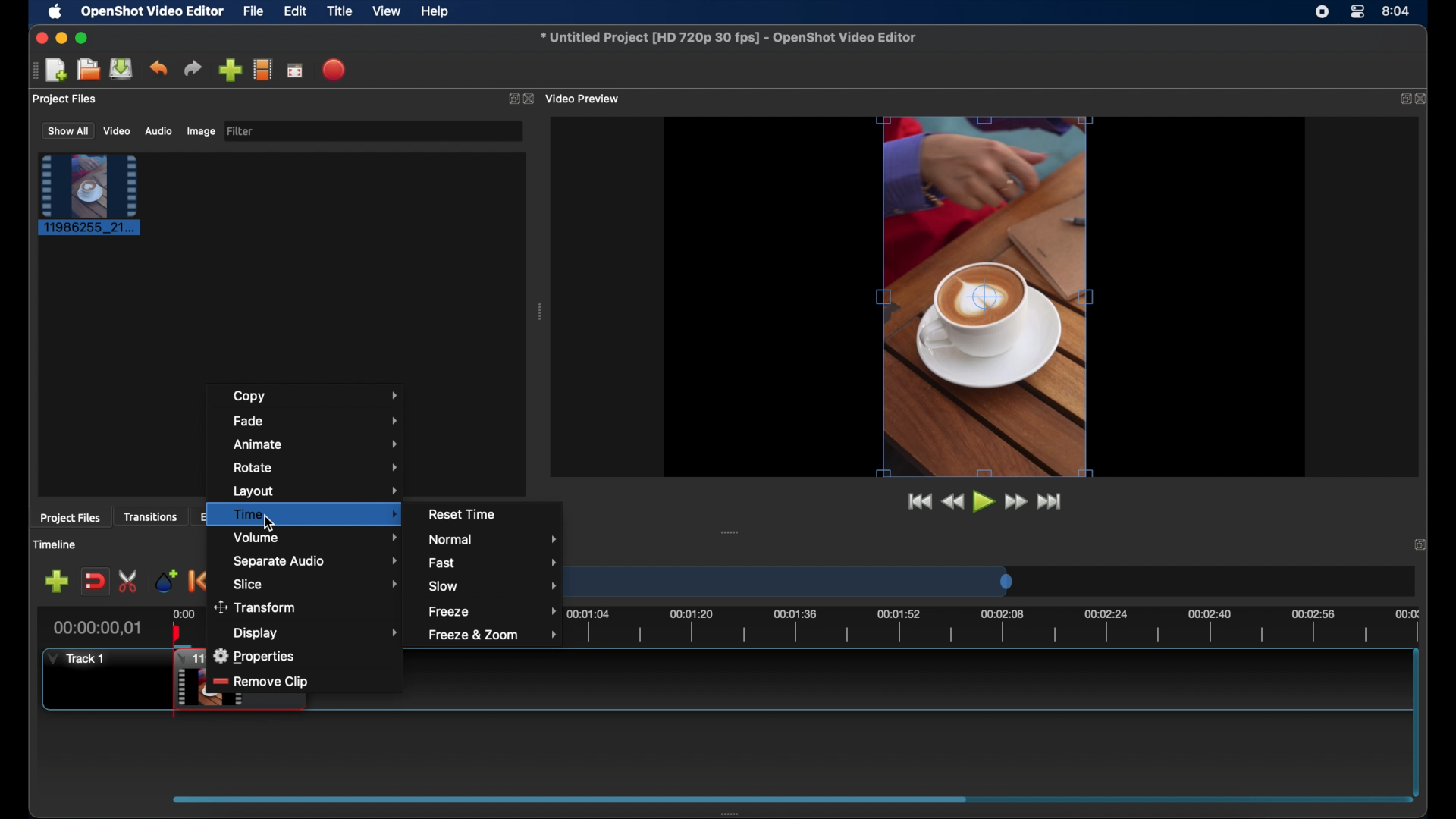  Describe the element at coordinates (61, 38) in the screenshot. I see `minimize` at that location.